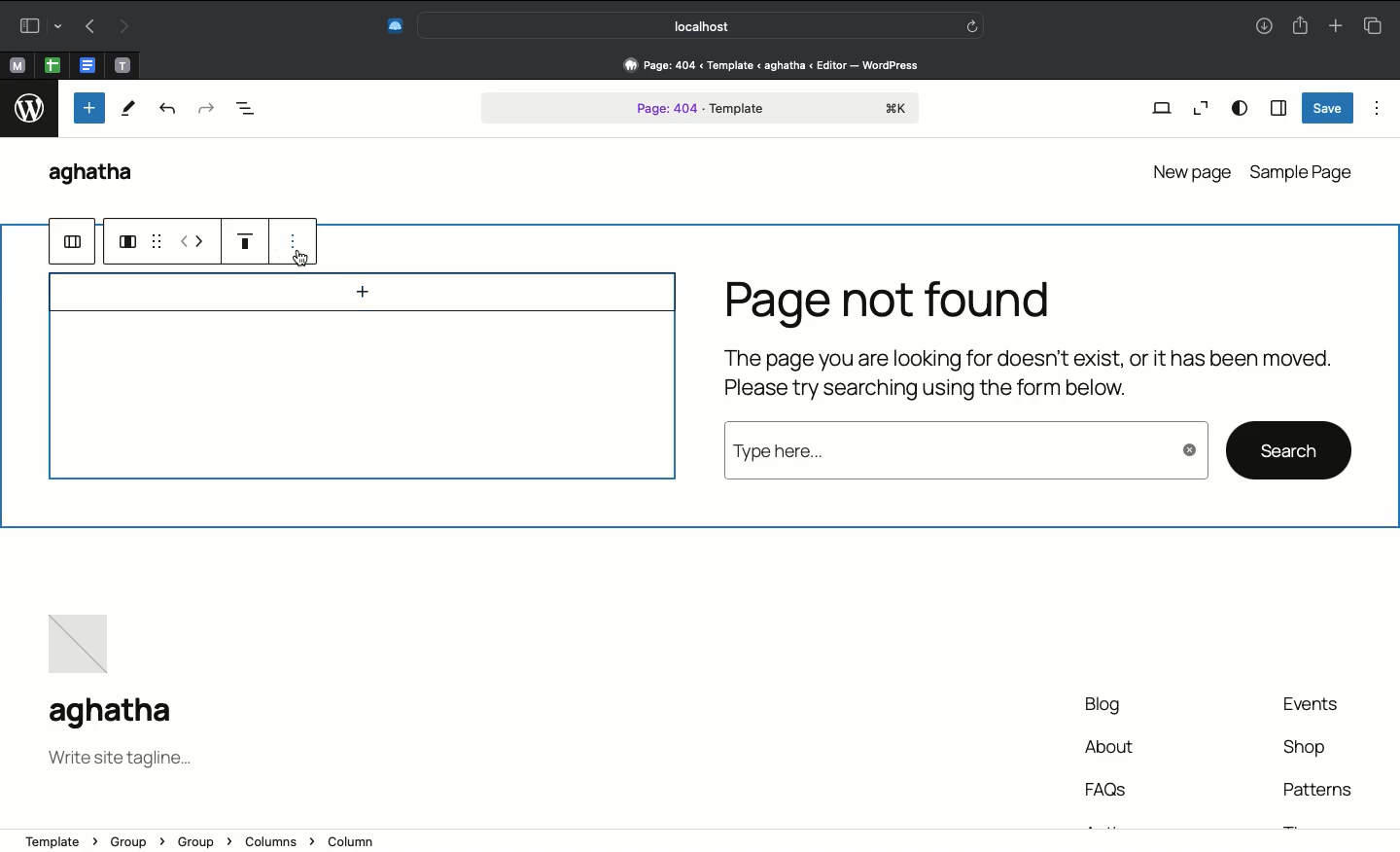  I want to click on Tagline, so click(124, 759).